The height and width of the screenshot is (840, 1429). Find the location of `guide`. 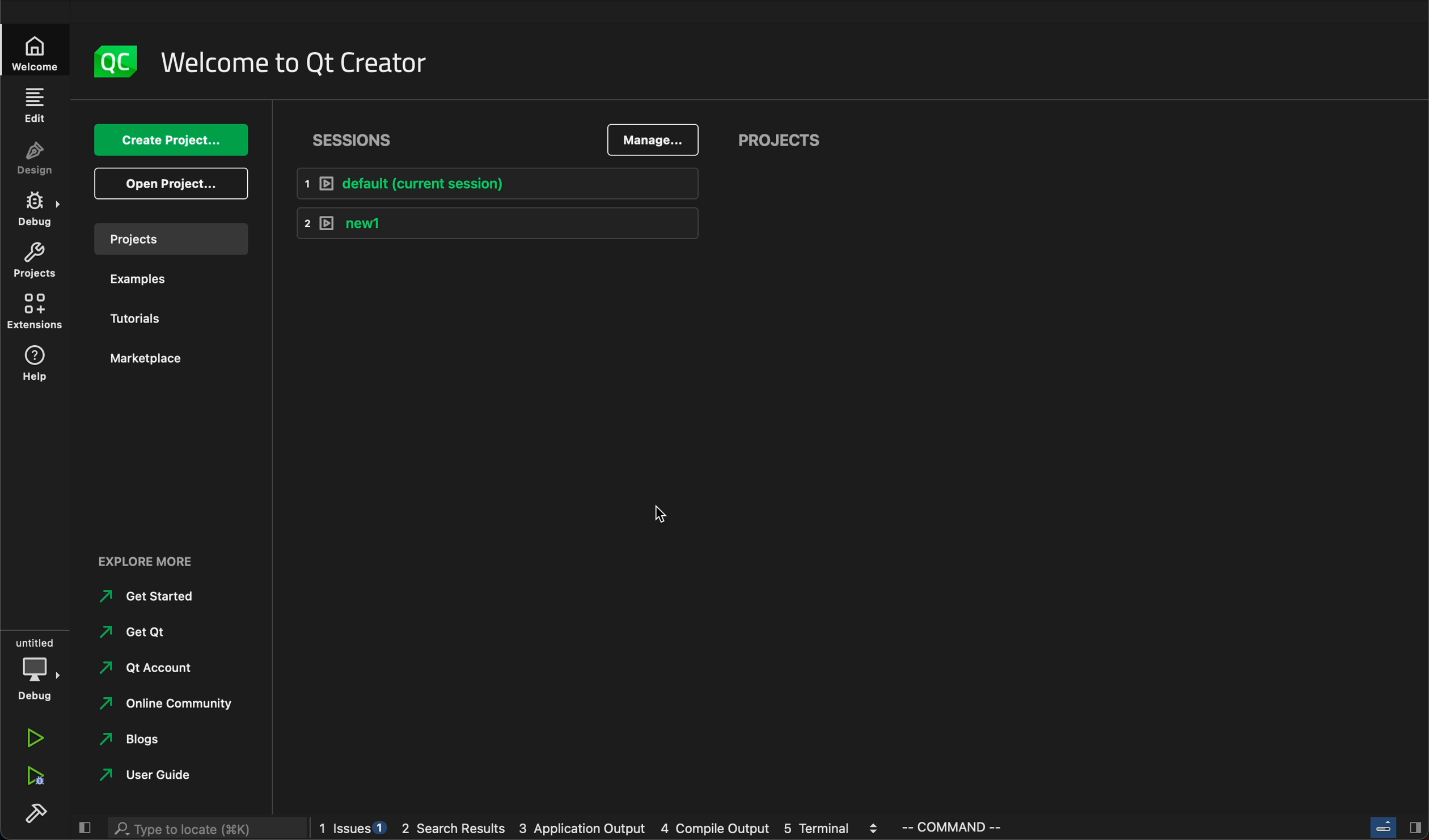

guide is located at coordinates (146, 777).